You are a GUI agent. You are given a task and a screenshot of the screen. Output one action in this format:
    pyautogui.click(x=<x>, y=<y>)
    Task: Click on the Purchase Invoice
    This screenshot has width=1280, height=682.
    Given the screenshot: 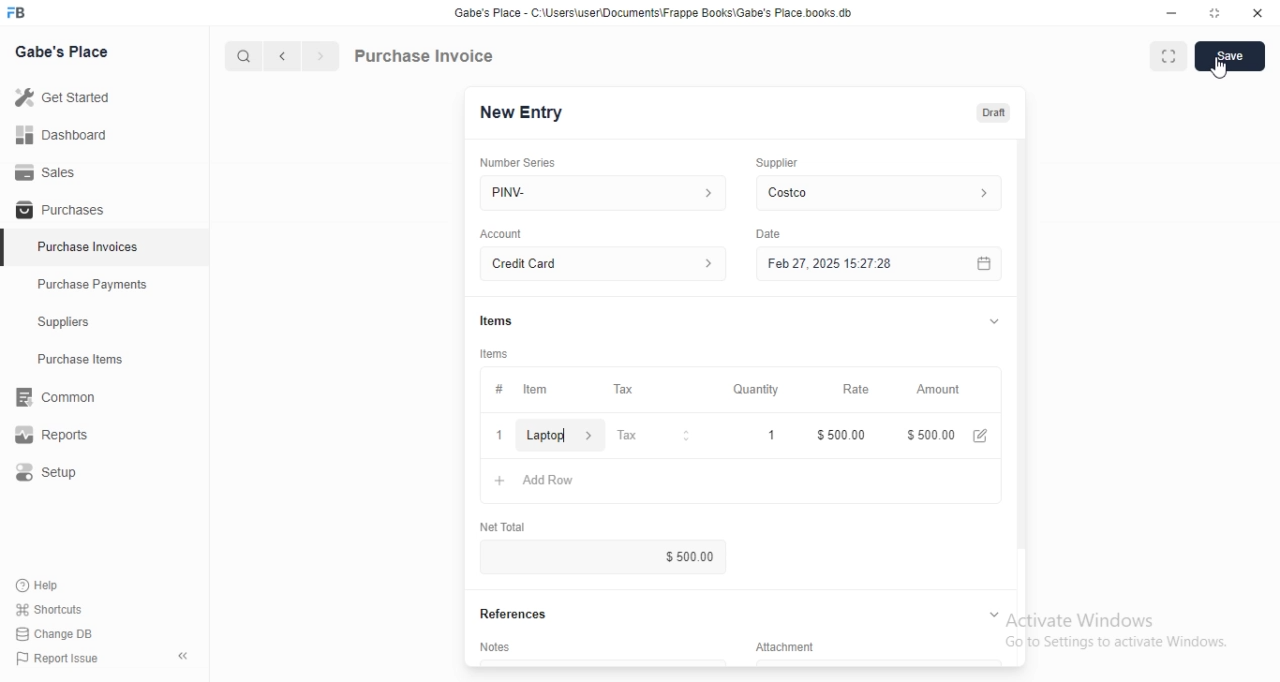 What is the action you would take?
    pyautogui.click(x=425, y=55)
    